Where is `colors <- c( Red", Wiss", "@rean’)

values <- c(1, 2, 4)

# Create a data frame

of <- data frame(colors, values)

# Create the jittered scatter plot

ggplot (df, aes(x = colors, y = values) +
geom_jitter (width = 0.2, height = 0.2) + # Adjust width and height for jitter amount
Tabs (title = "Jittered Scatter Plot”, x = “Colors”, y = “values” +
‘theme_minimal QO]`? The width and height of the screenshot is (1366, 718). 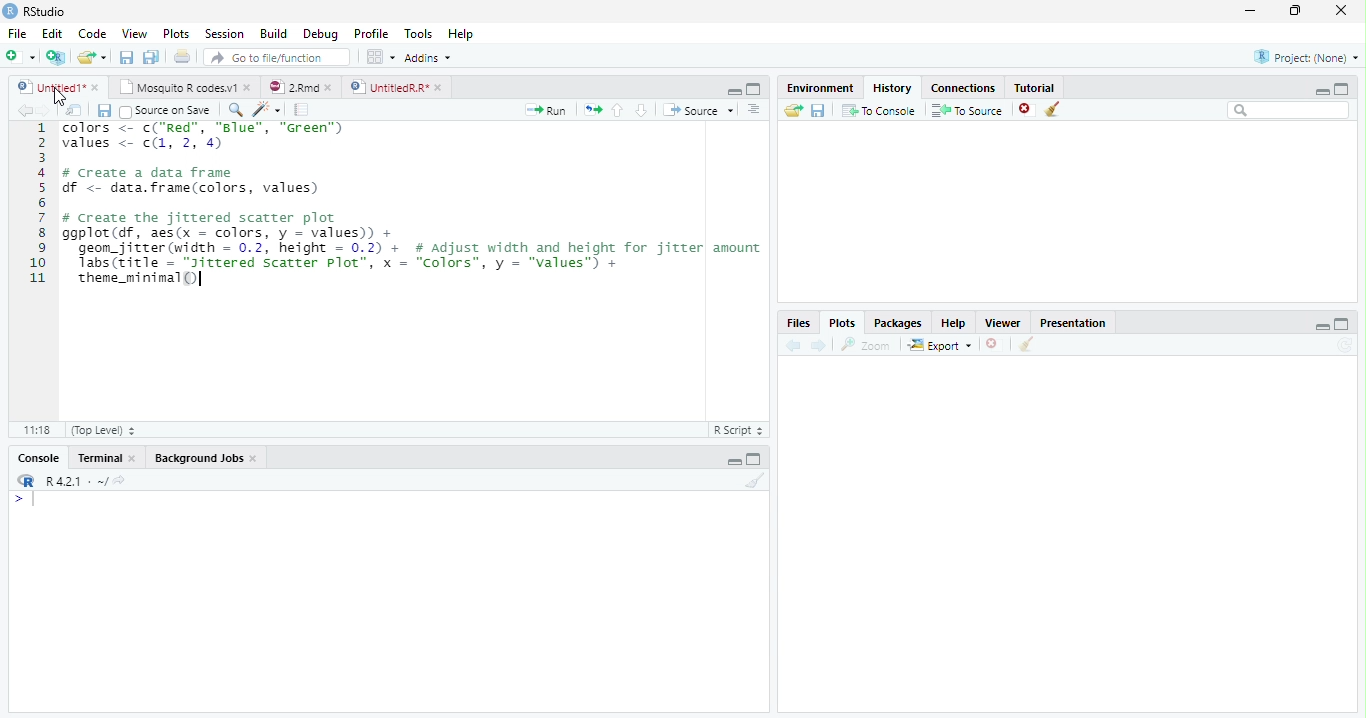 colors <- c( Red", Wiss", "@rean’)

values <- c(1, 2, 4)

# Create a data frame

of <- data frame(colors, values)

# Create the jittered scatter plot

ggplot (df, aes(x = colors, y = values) +
geom_jitter (width = 0.2, height = 0.2) + # Adjust width and height for jitter amount
Tabs (title = "Jittered Scatter Plot”, x = “Colors”, y = “values” +
‘theme_minimal QO] is located at coordinates (413, 206).